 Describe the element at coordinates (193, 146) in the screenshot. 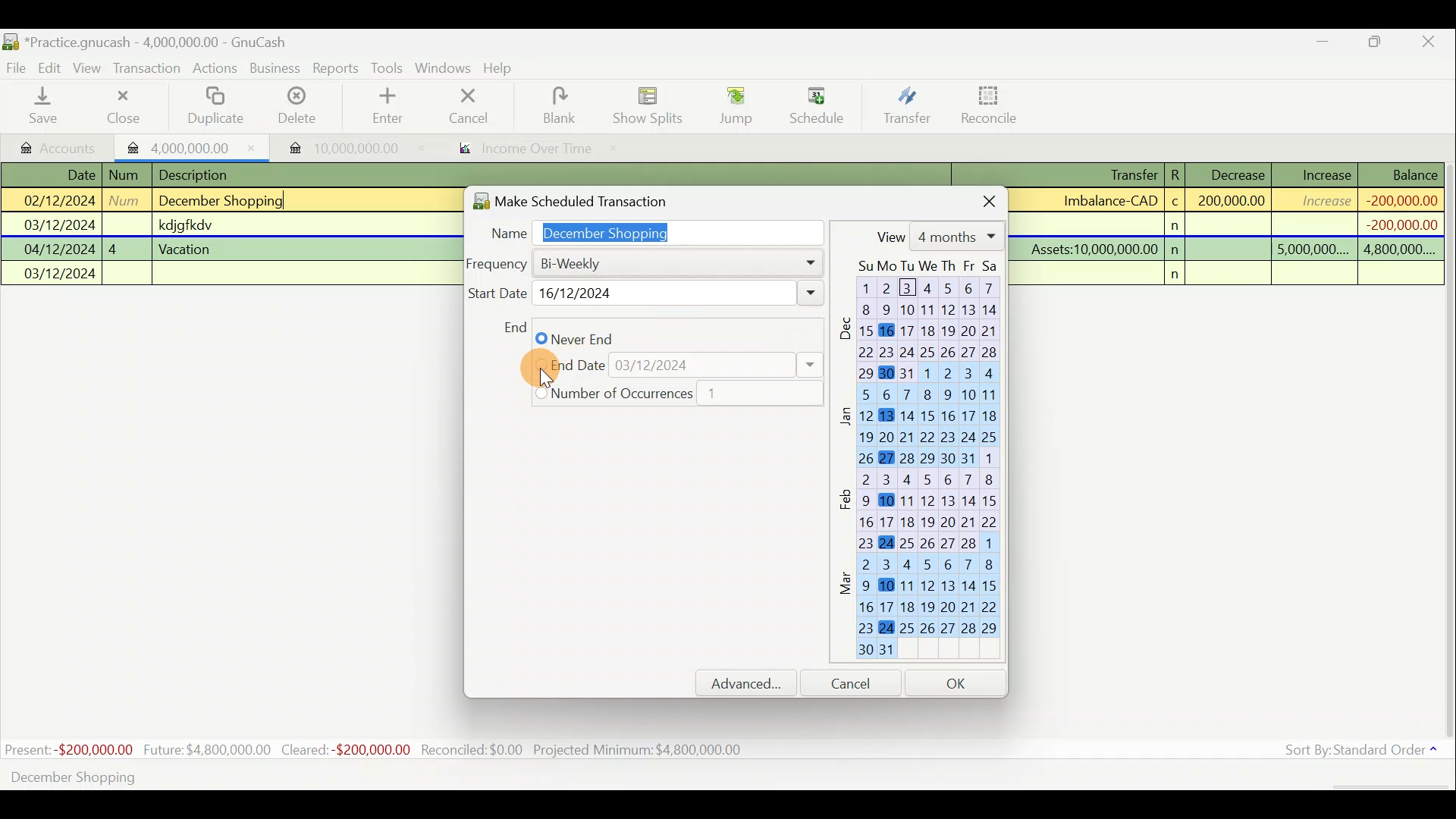

I see `Imported transaction 1` at that location.